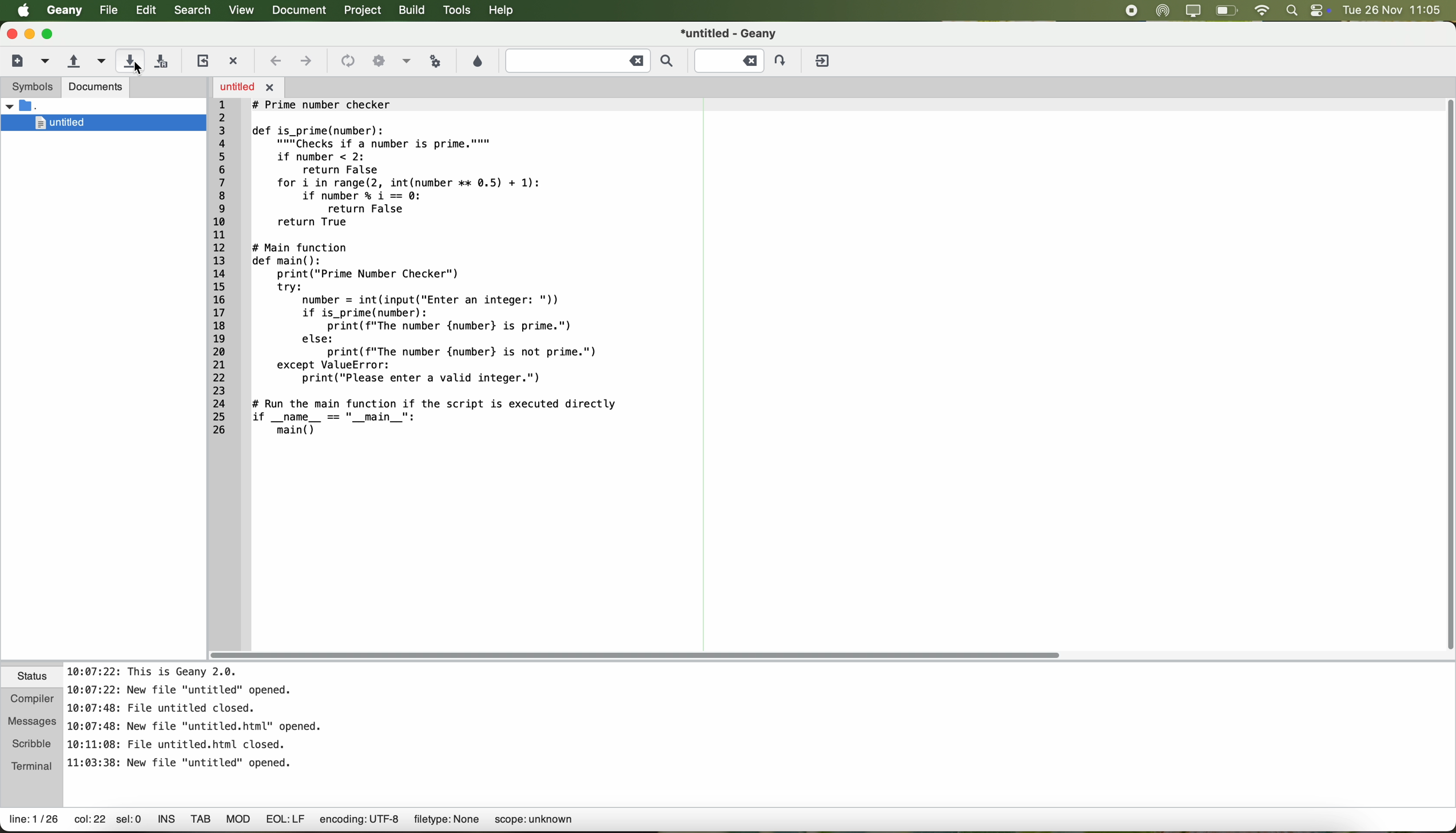 The image size is (1456, 833). What do you see at coordinates (202, 61) in the screenshot?
I see `reload the current file from disk` at bounding box center [202, 61].